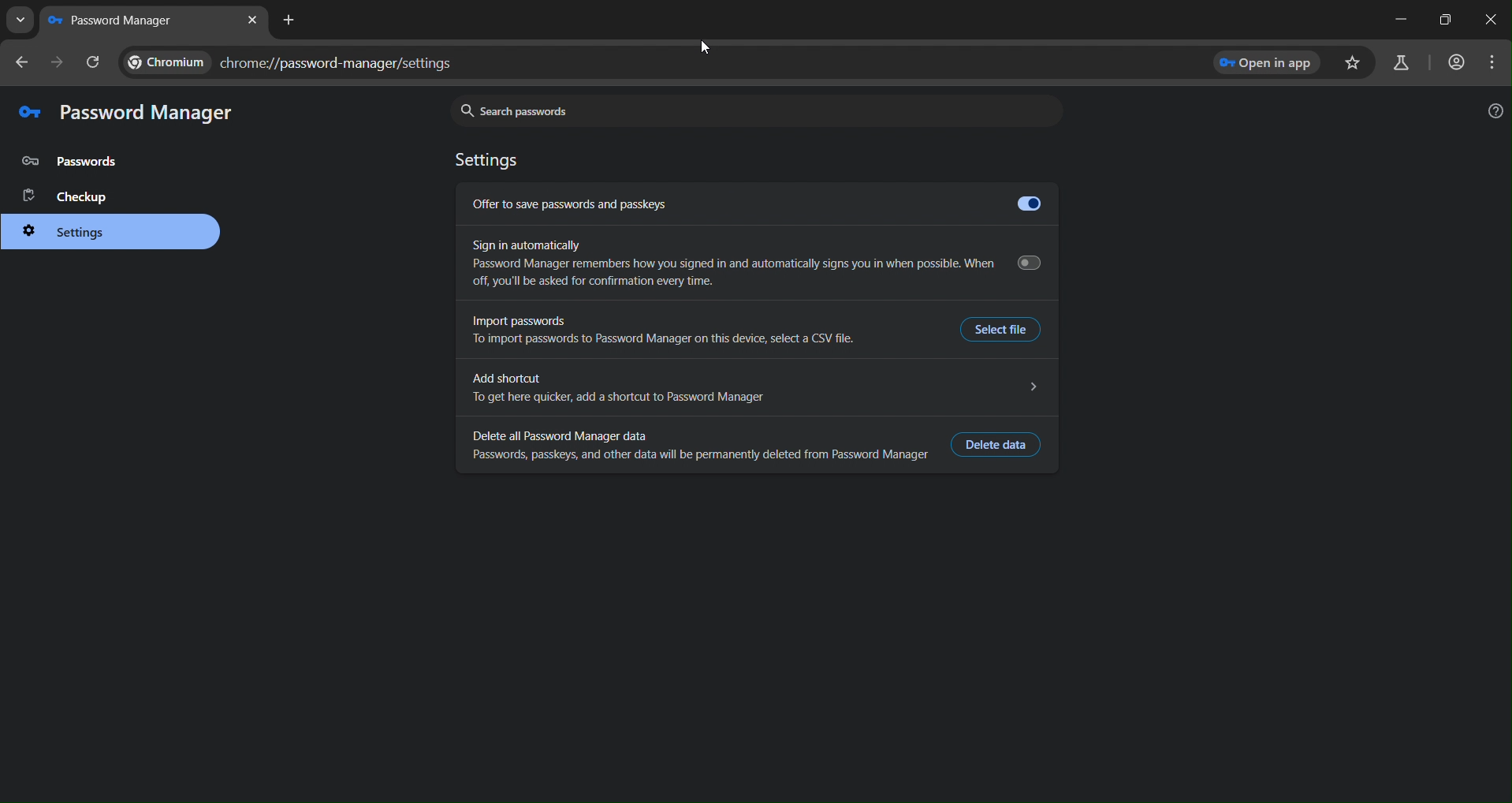 The width and height of the screenshot is (1512, 803). I want to click on restore down, so click(1444, 19).